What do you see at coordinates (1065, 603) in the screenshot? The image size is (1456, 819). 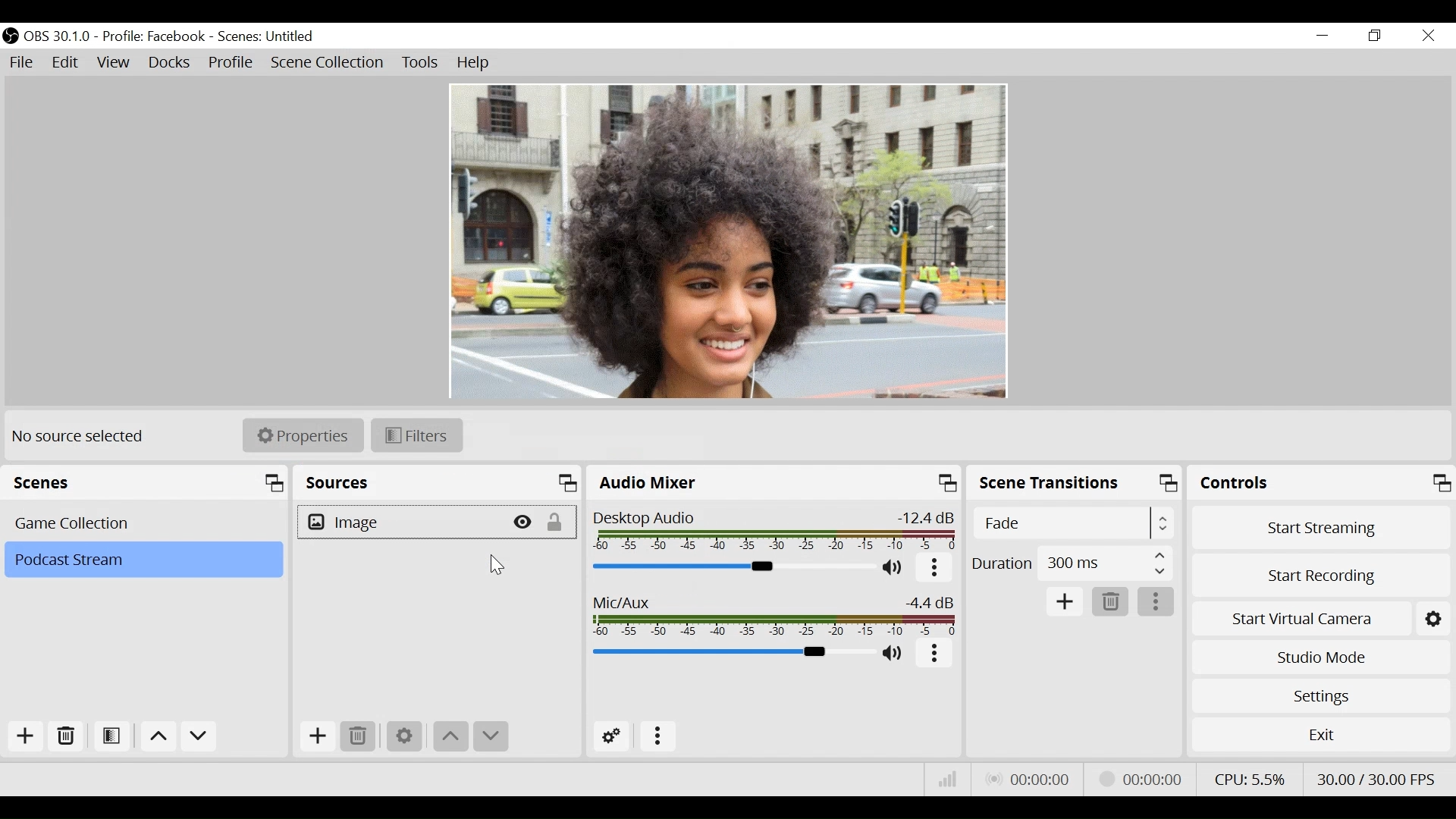 I see `Add ` at bounding box center [1065, 603].